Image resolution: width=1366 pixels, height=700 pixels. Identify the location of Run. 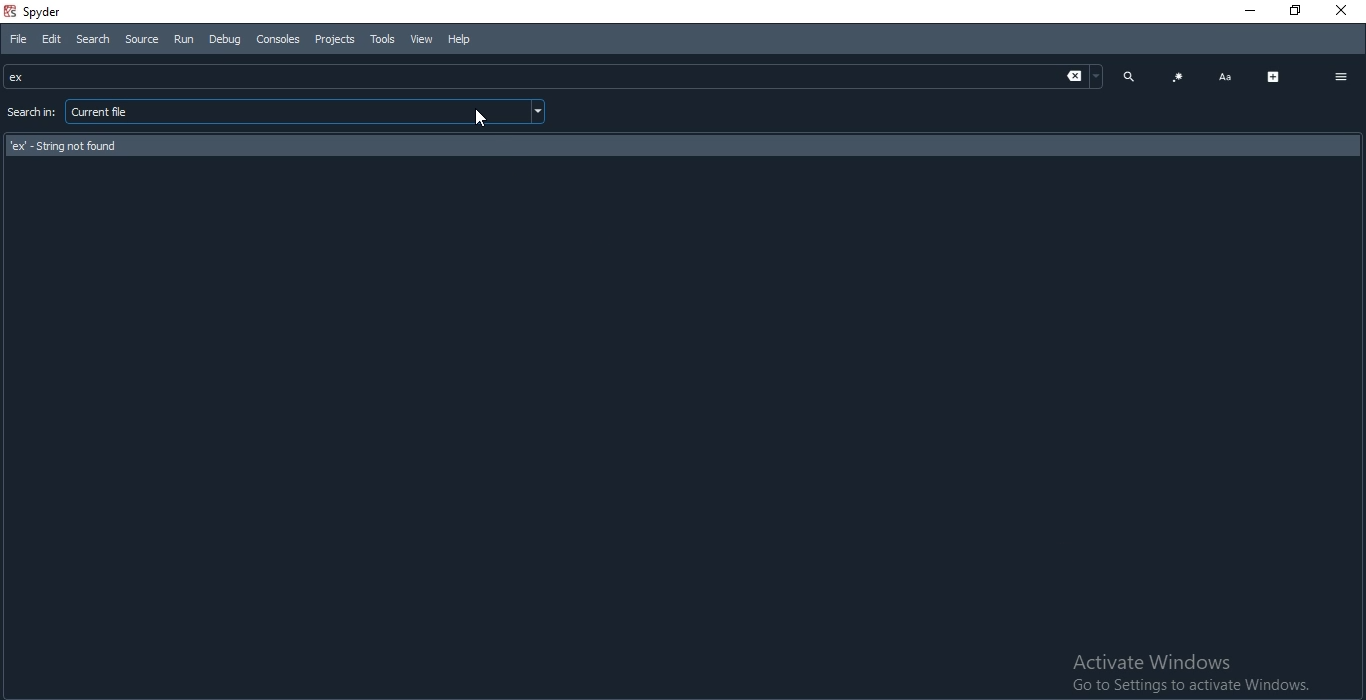
(181, 40).